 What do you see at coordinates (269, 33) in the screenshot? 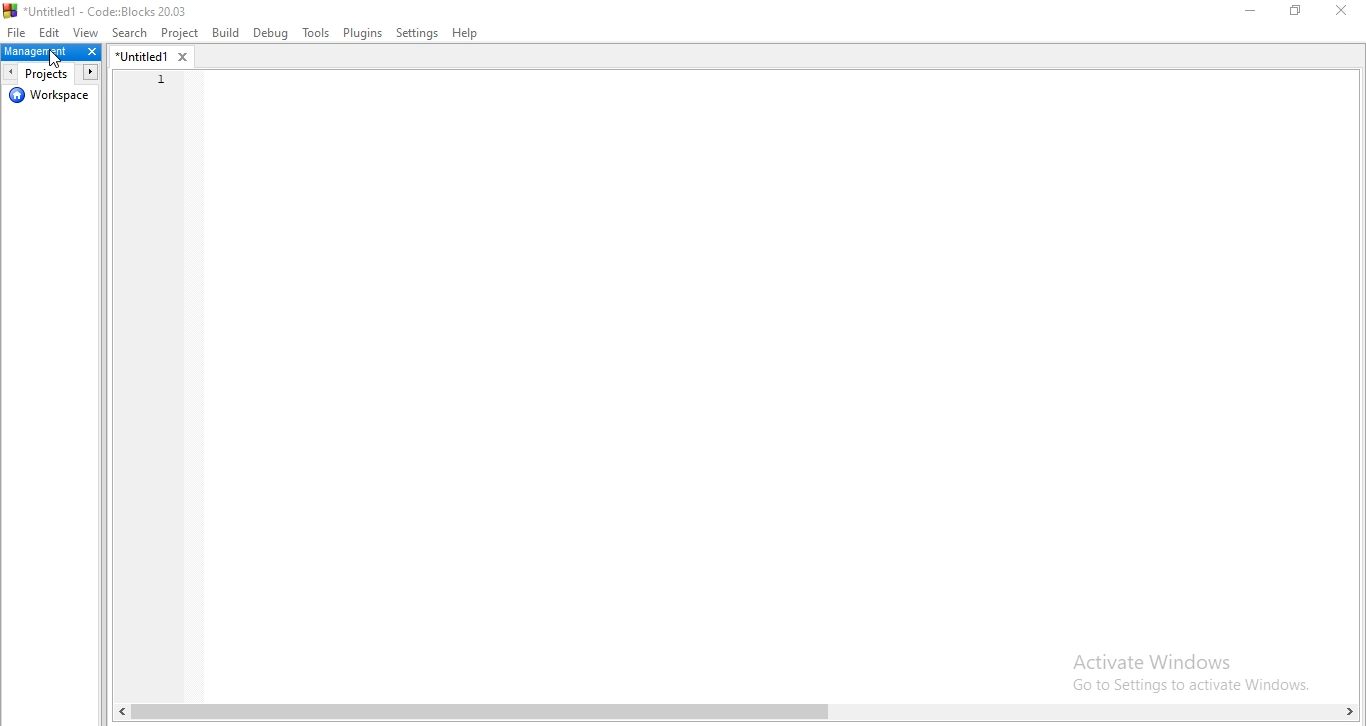
I see `Debug ` at bounding box center [269, 33].